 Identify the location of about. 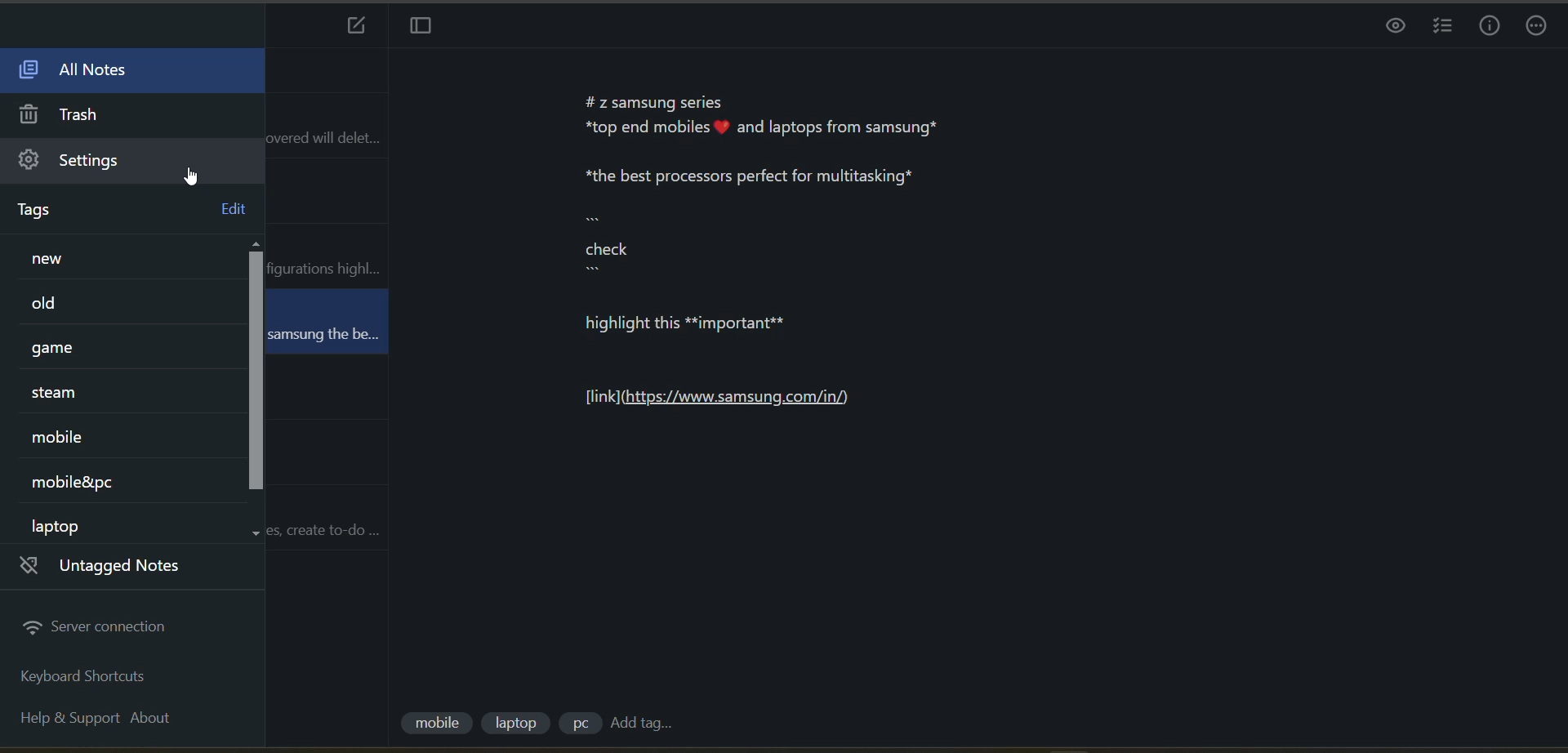
(149, 720).